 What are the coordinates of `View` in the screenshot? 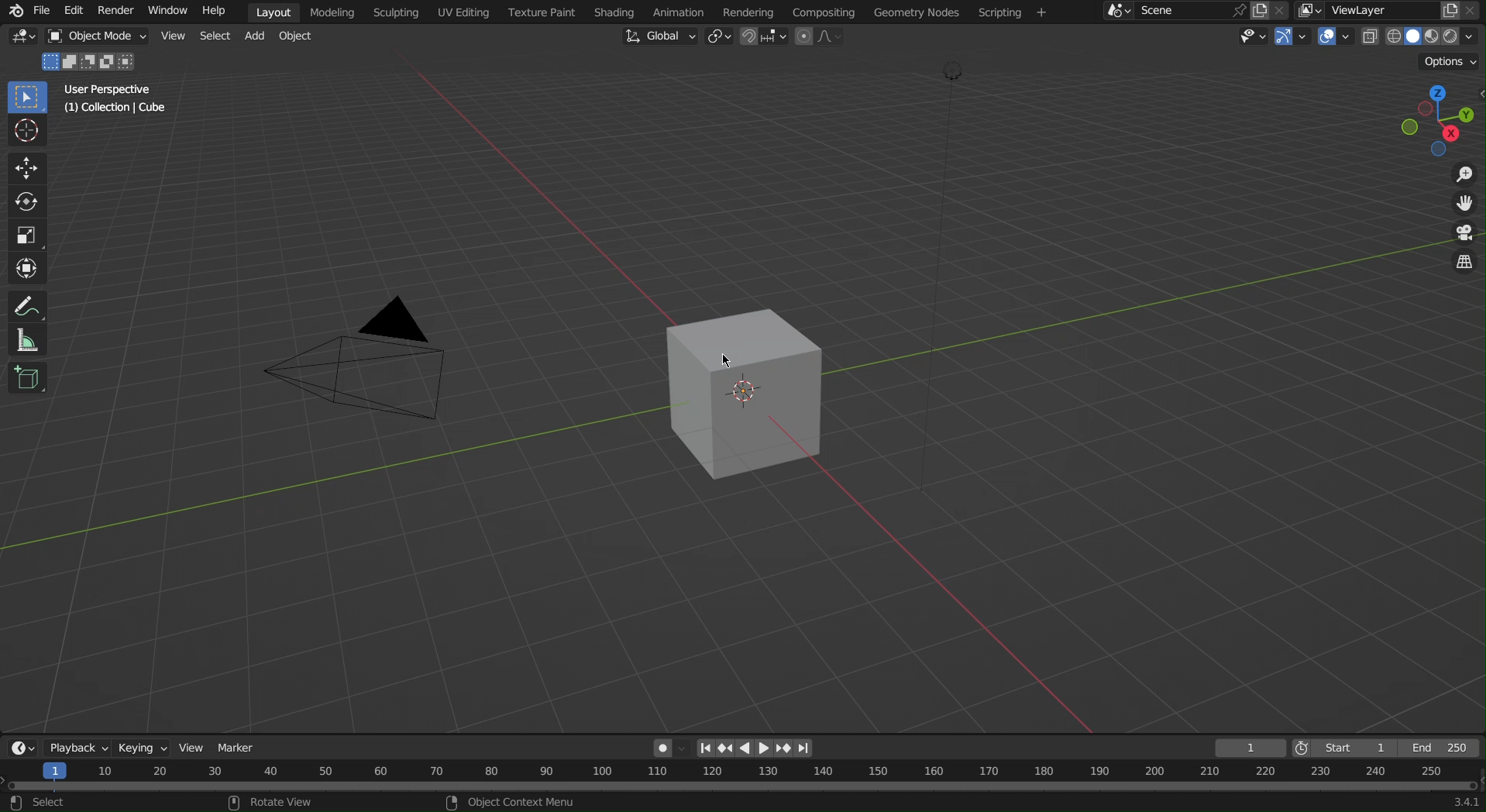 It's located at (194, 746).